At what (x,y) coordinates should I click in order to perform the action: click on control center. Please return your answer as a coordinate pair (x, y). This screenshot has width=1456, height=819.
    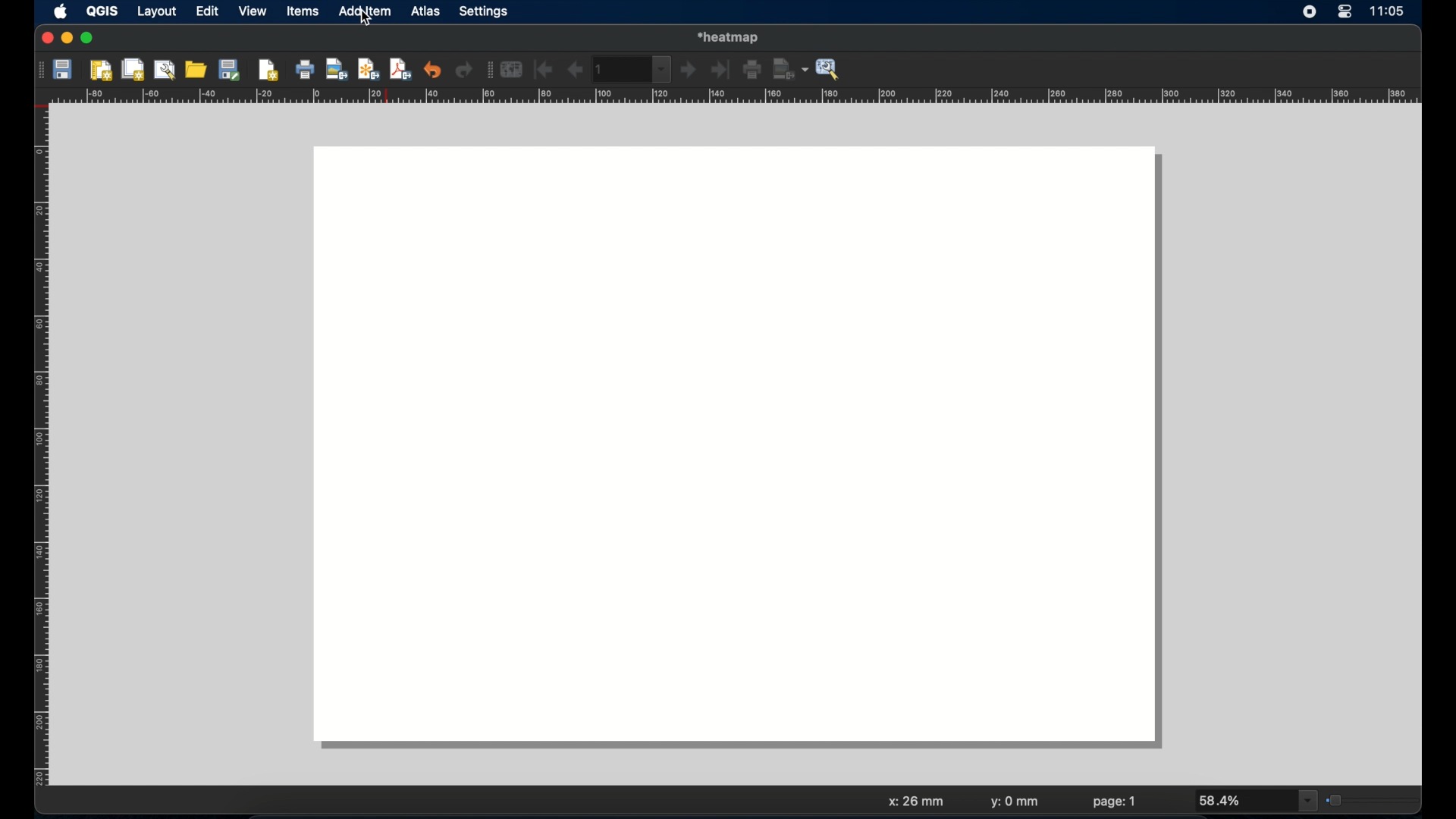
    Looking at the image, I should click on (1345, 13).